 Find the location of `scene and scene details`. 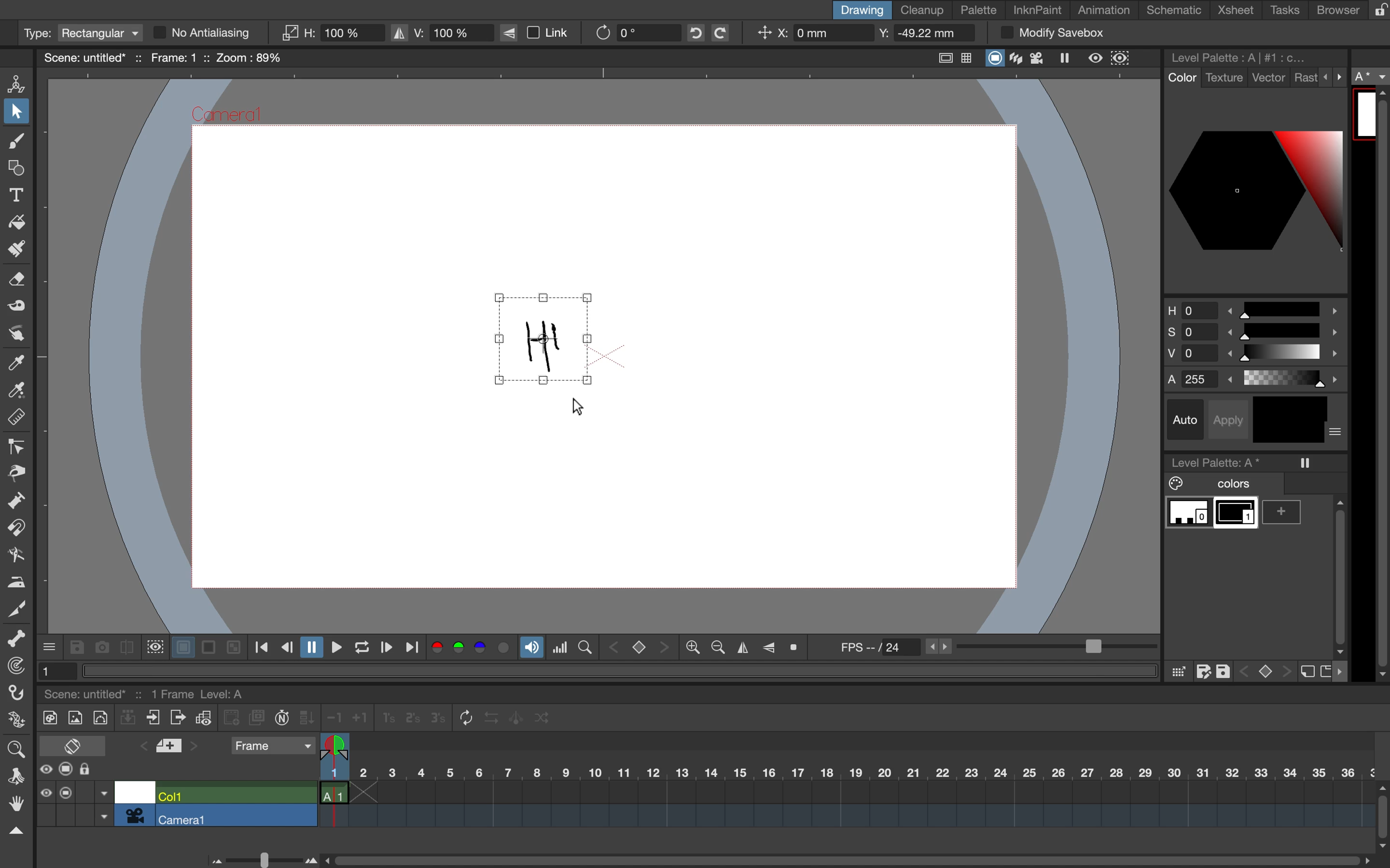

scene and scene details is located at coordinates (159, 692).